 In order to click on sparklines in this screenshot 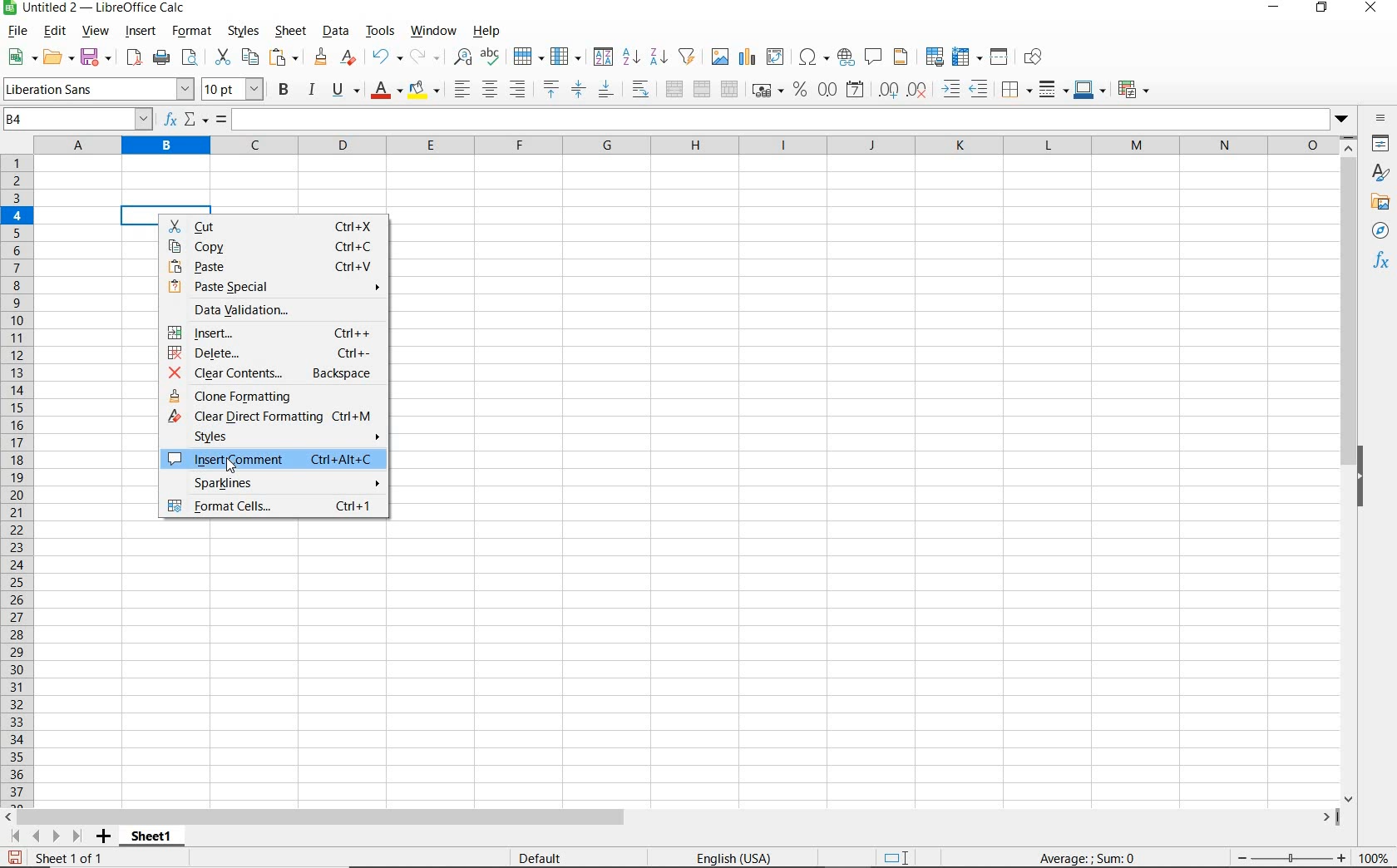, I will do `click(275, 484)`.